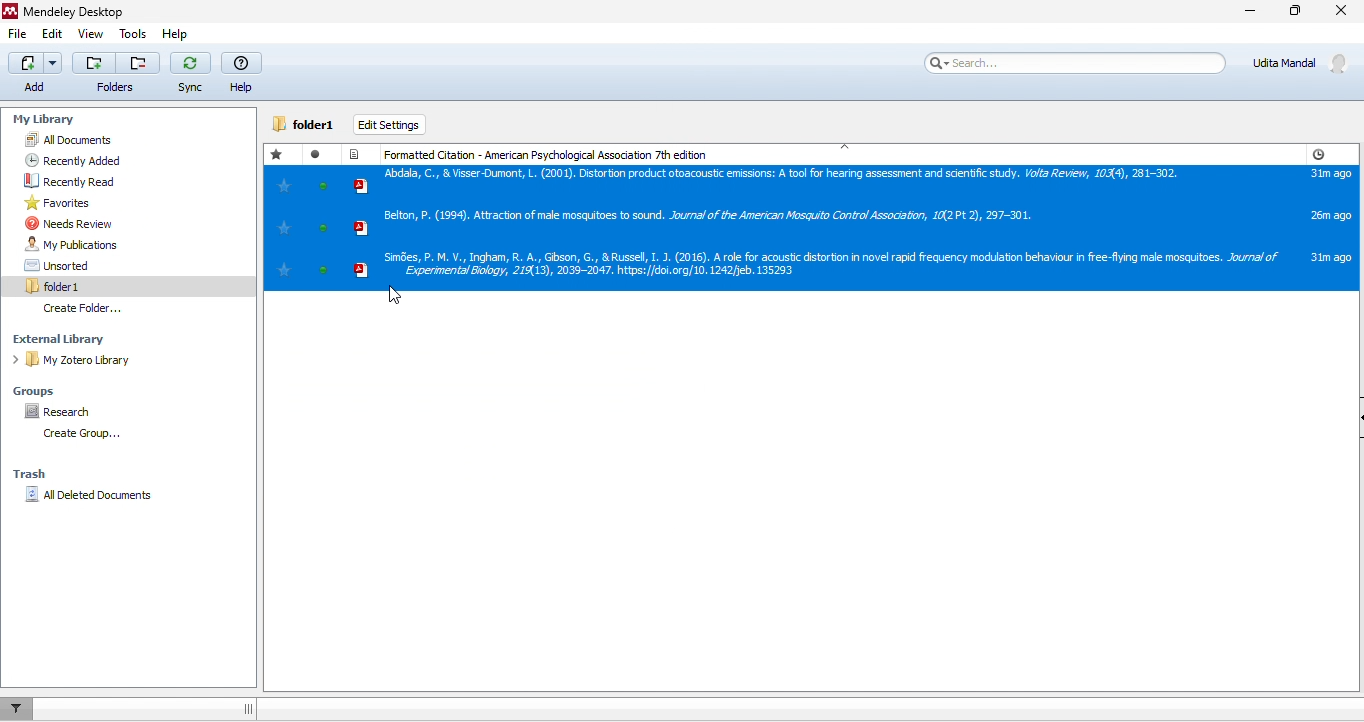  What do you see at coordinates (83, 414) in the screenshot?
I see `research` at bounding box center [83, 414].